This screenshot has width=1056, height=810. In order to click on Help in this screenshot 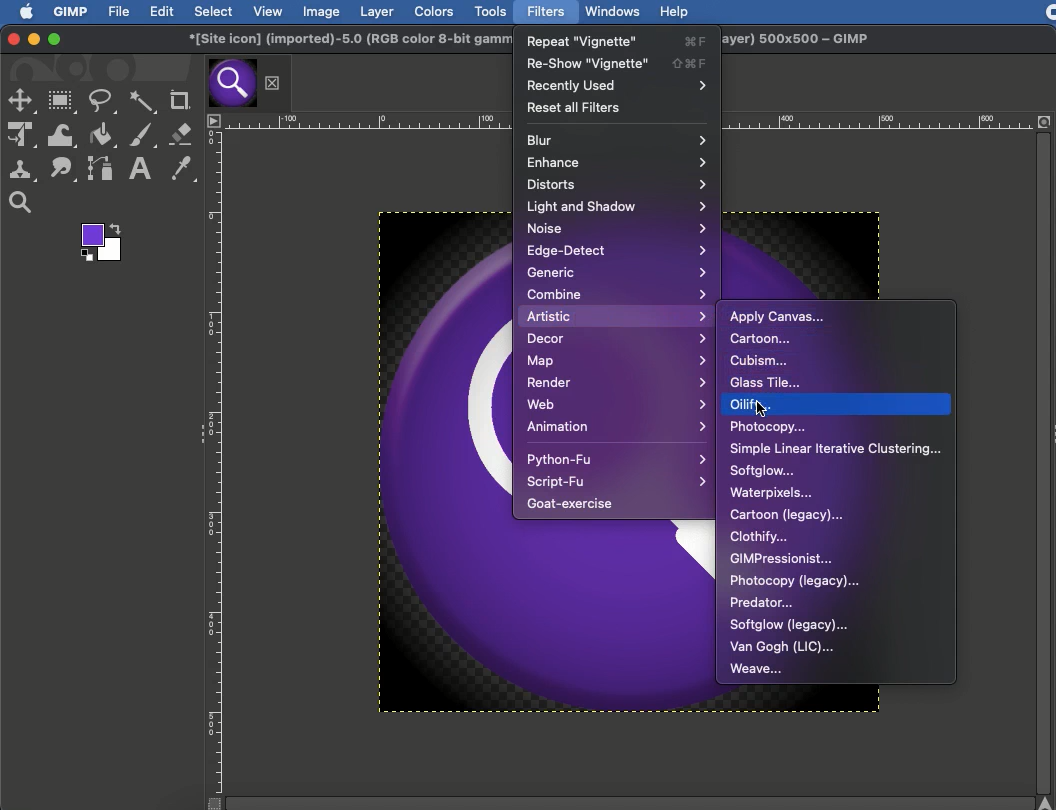, I will do `click(675, 12)`.